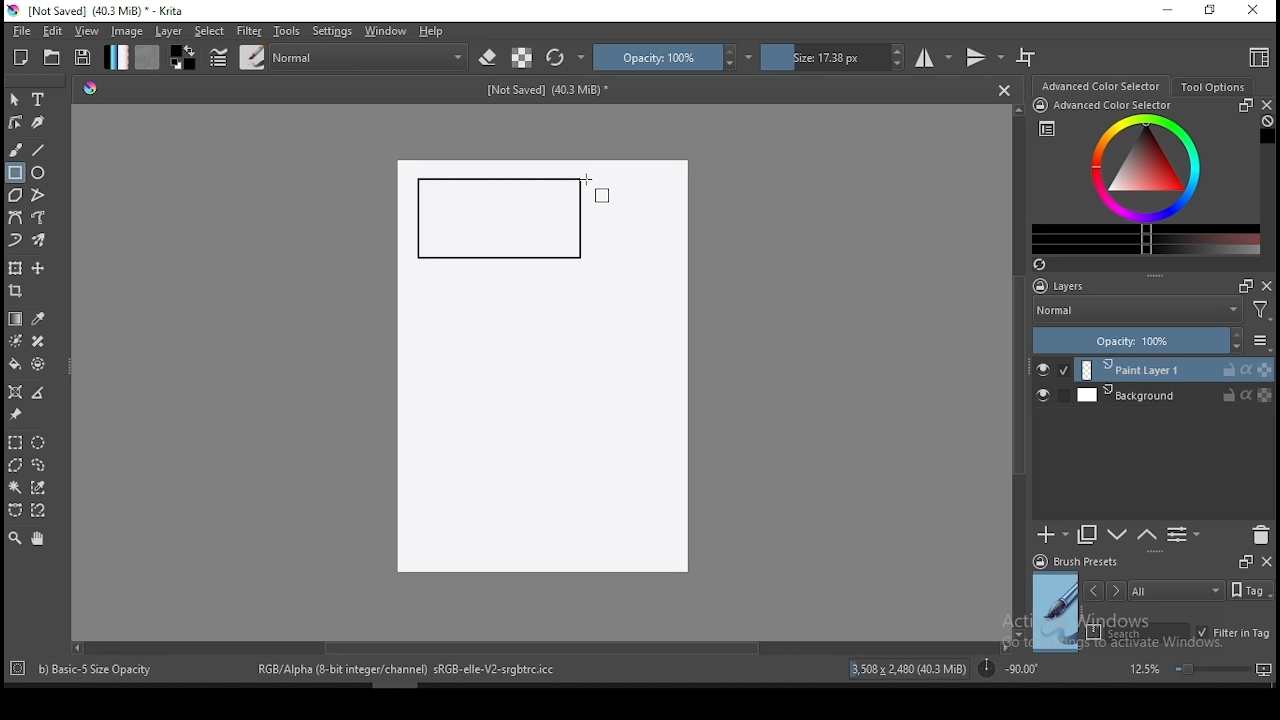 Image resolution: width=1280 pixels, height=720 pixels. What do you see at coordinates (252, 57) in the screenshot?
I see `brushes` at bounding box center [252, 57].